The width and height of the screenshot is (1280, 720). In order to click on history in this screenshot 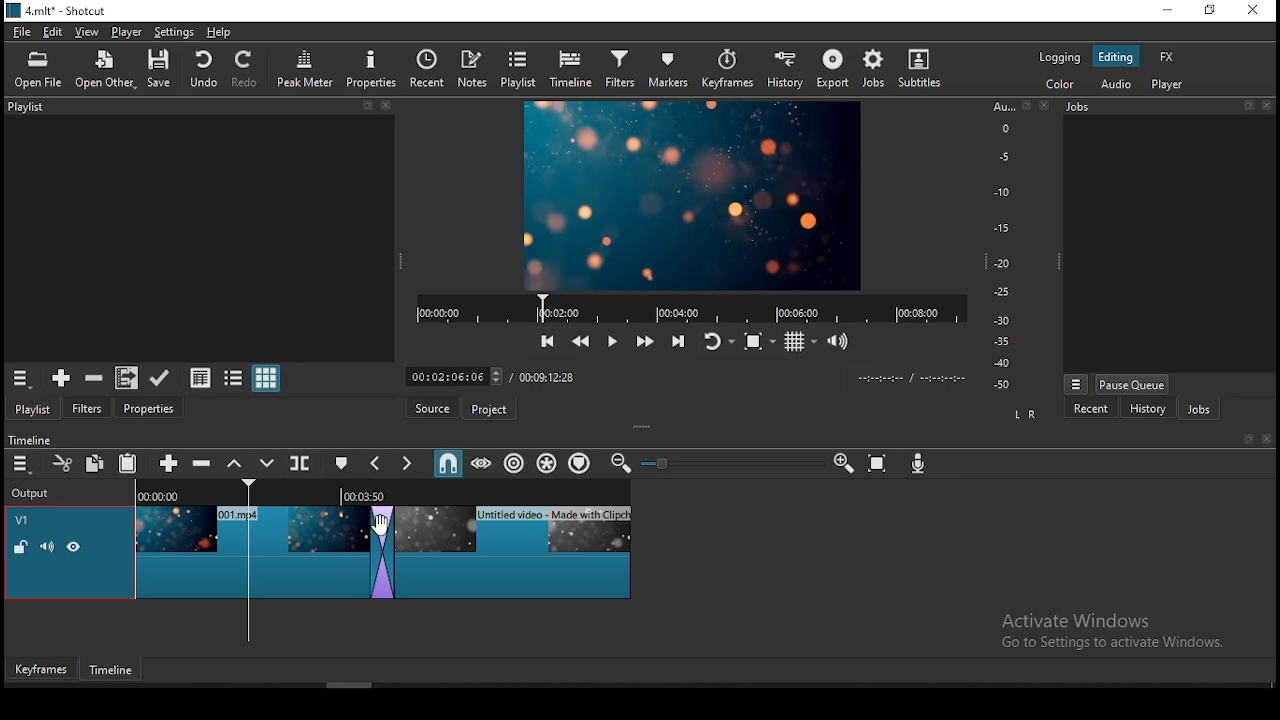, I will do `click(787, 69)`.